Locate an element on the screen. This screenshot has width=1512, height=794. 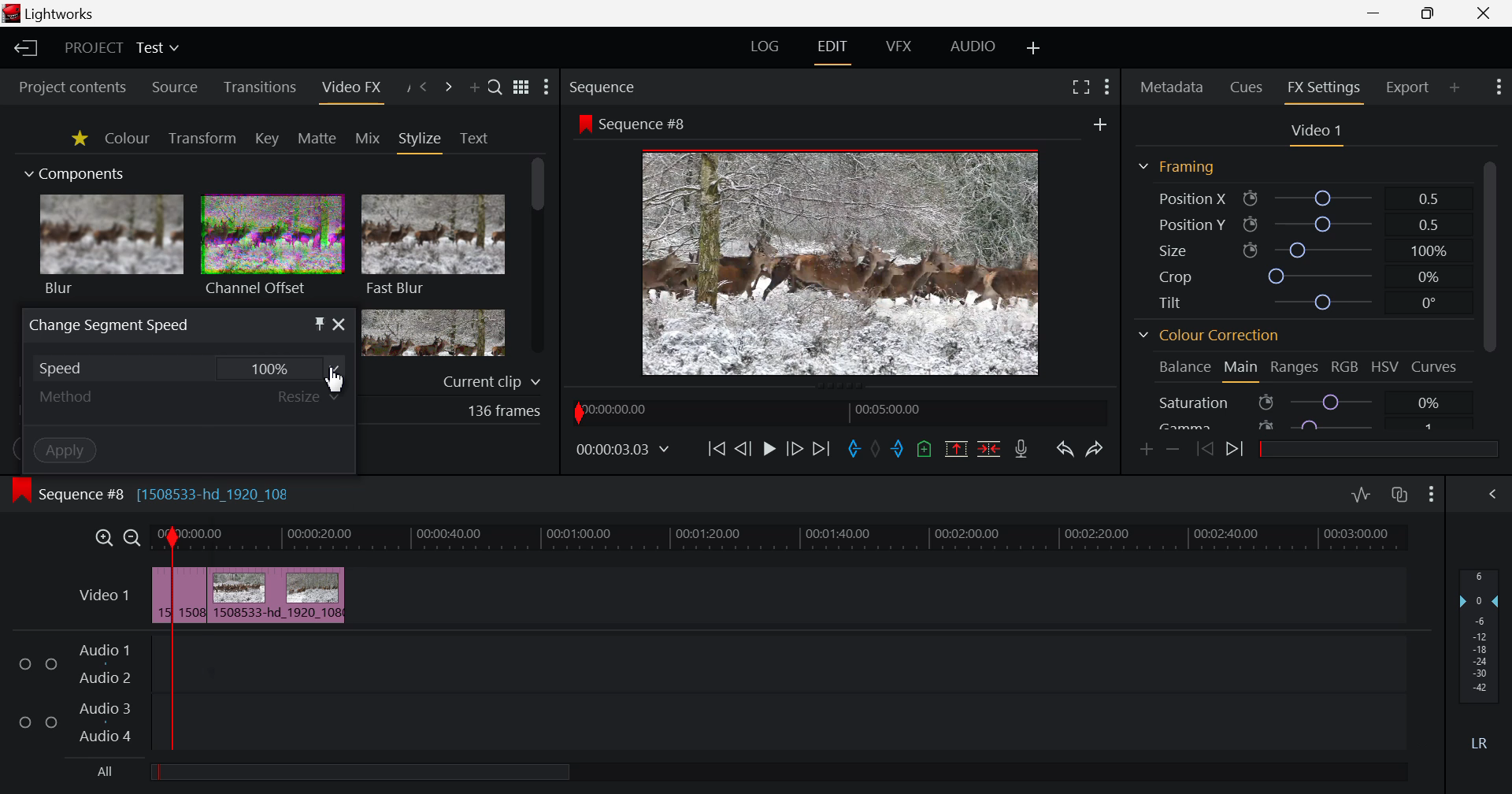
Show Settings is located at coordinates (1107, 90).